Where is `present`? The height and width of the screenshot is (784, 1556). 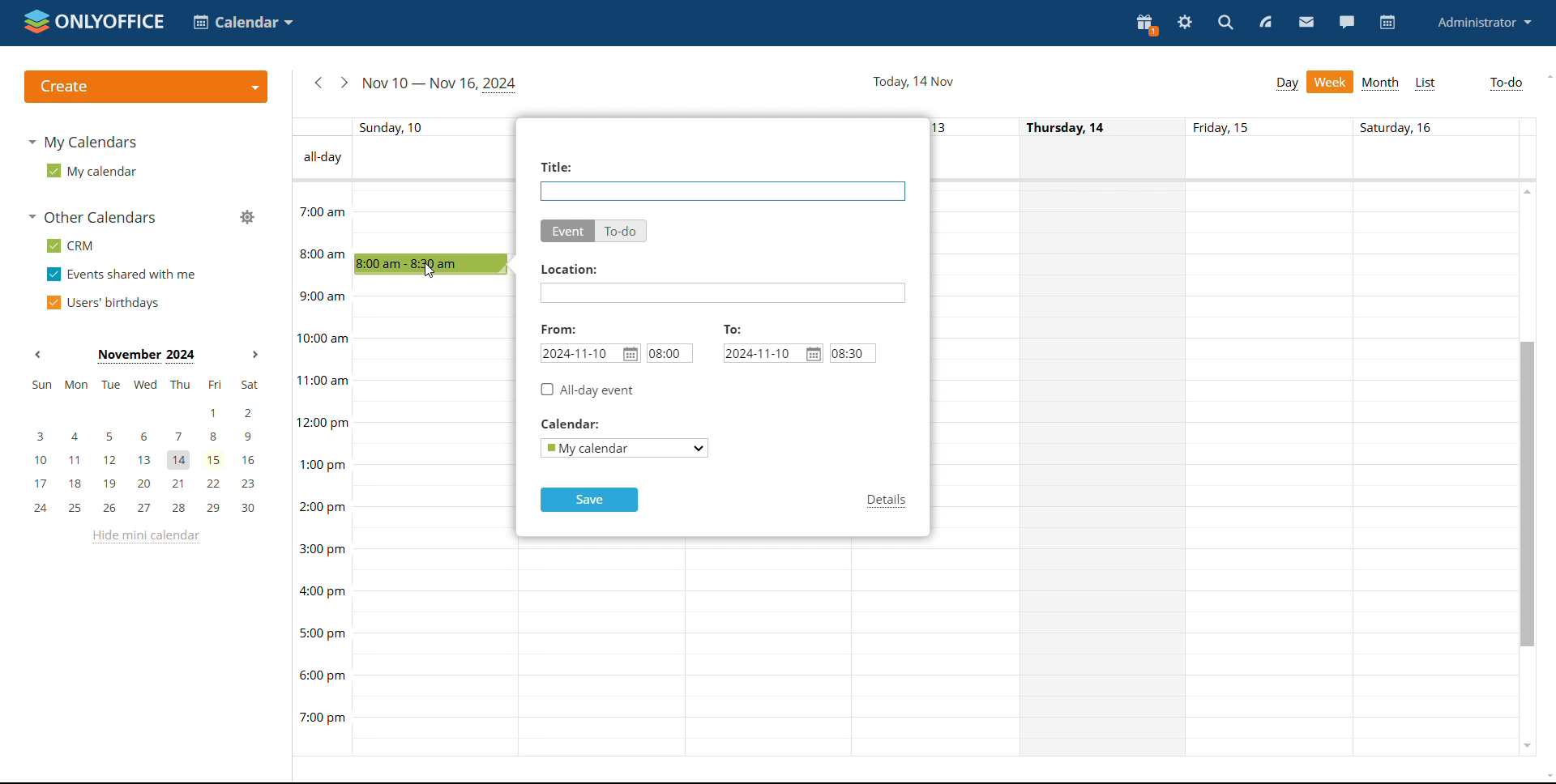 present is located at coordinates (1145, 24).